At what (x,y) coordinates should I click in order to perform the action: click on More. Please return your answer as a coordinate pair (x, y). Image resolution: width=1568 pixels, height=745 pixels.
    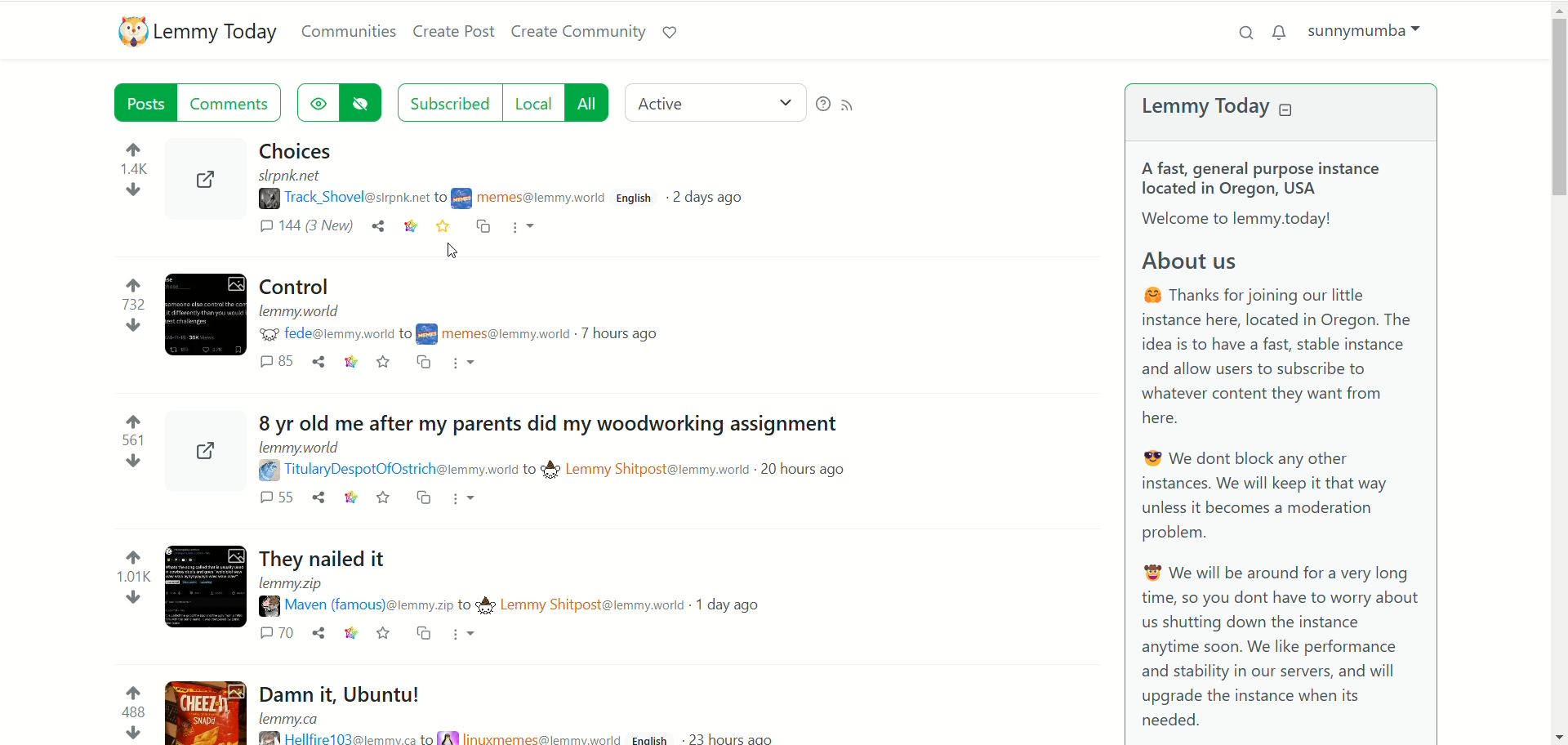
    Looking at the image, I should click on (464, 499).